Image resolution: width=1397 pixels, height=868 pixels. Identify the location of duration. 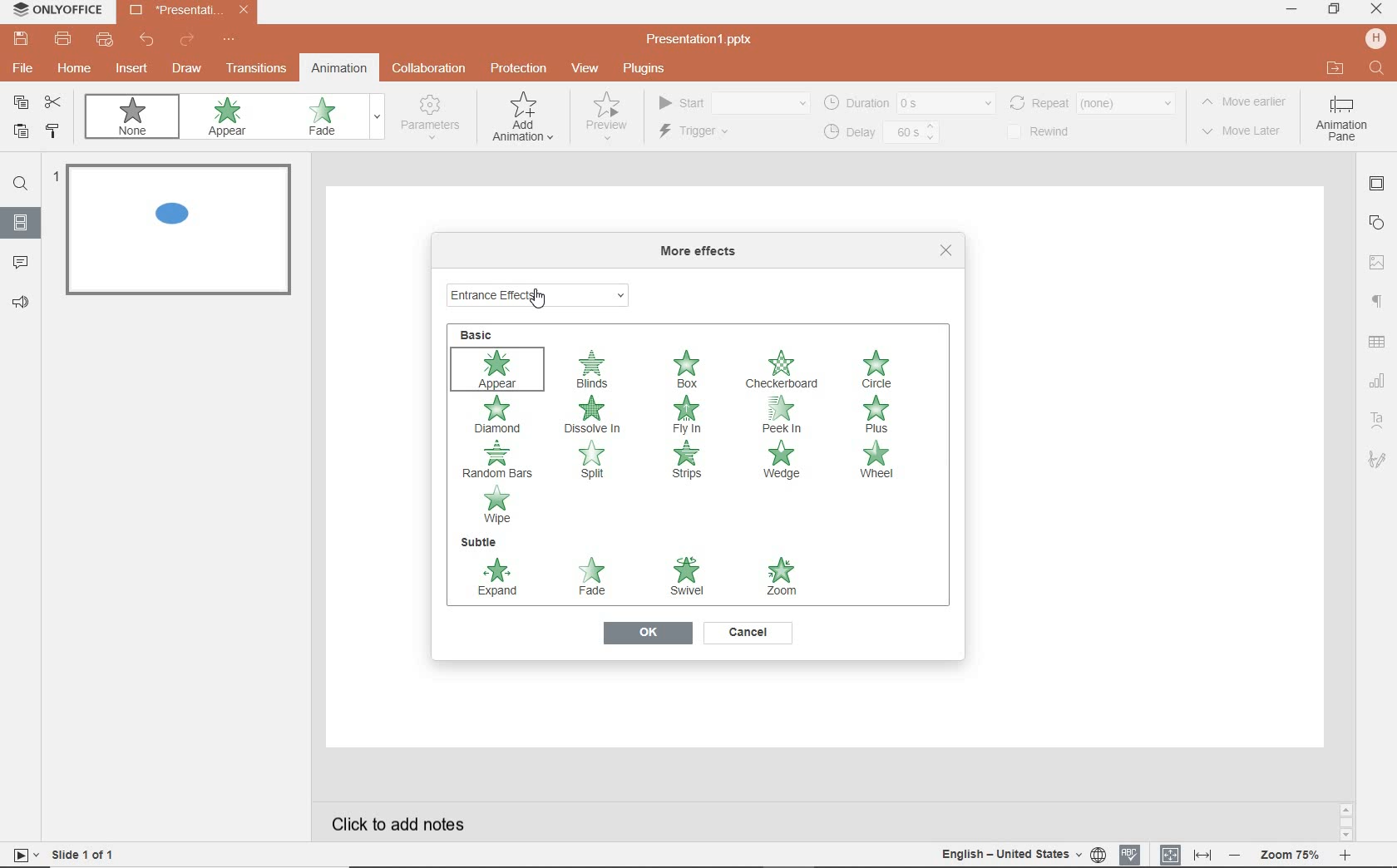
(908, 102).